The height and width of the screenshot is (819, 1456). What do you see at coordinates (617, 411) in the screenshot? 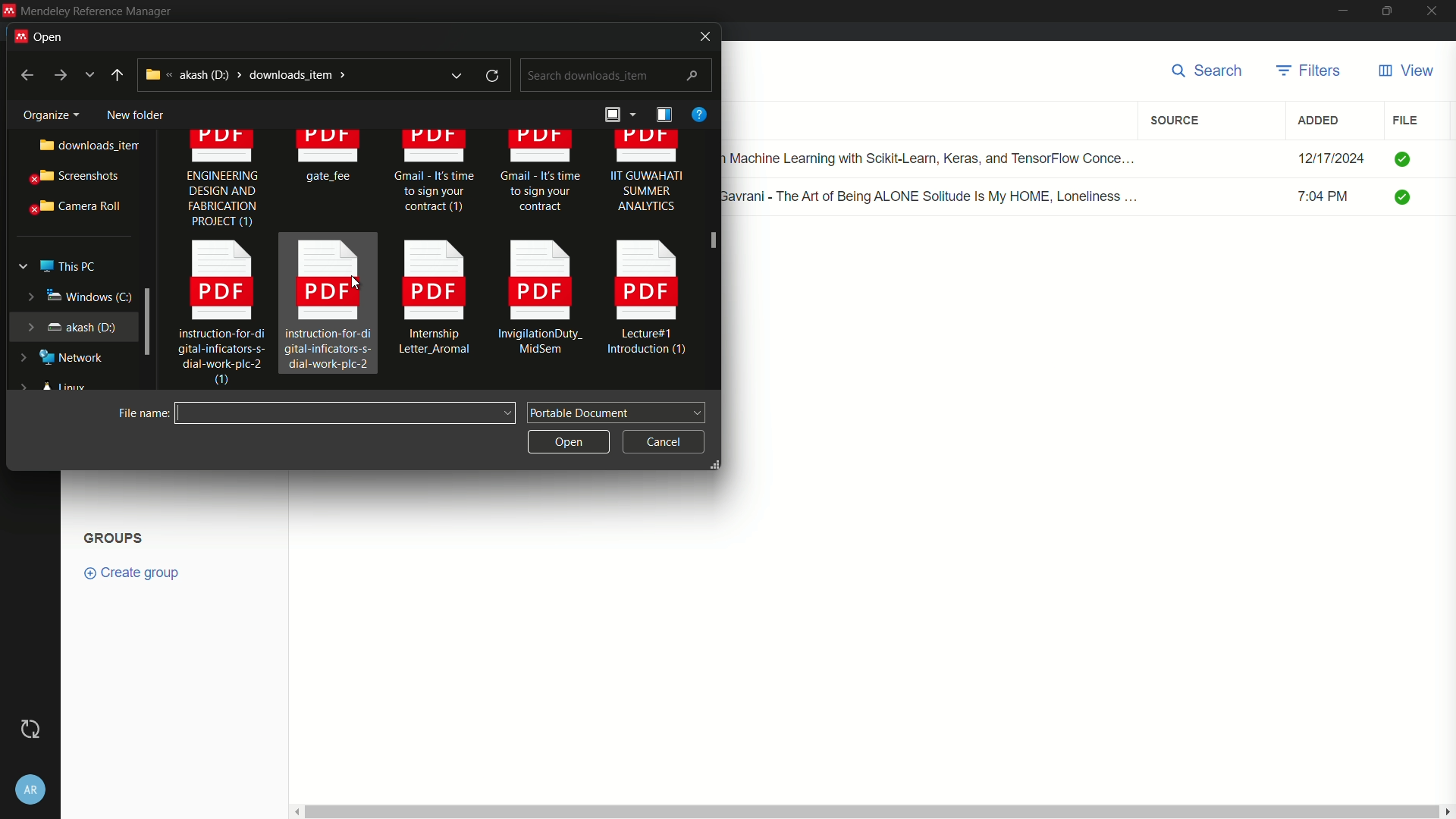
I see `portable document` at bounding box center [617, 411].